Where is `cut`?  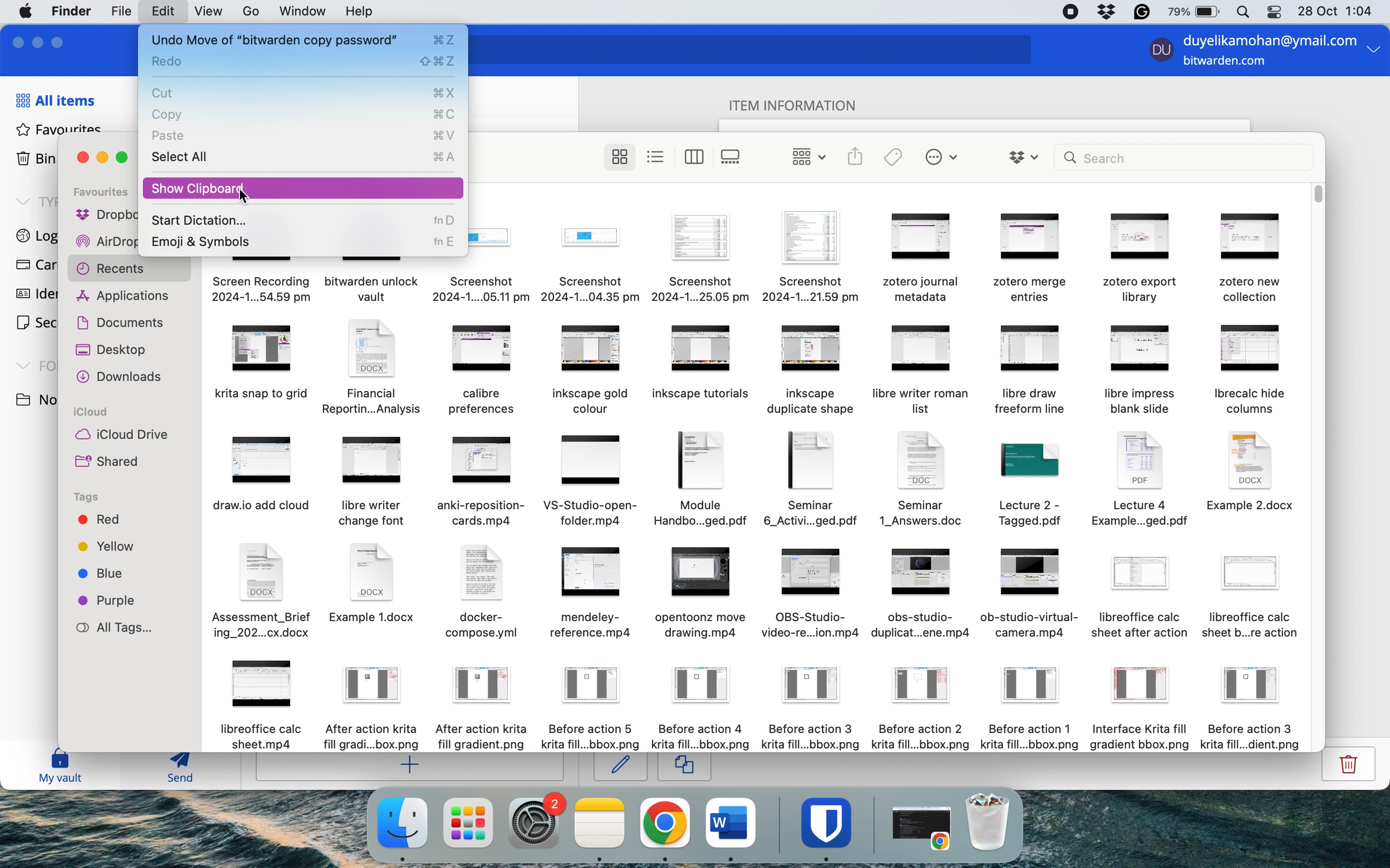
cut is located at coordinates (302, 92).